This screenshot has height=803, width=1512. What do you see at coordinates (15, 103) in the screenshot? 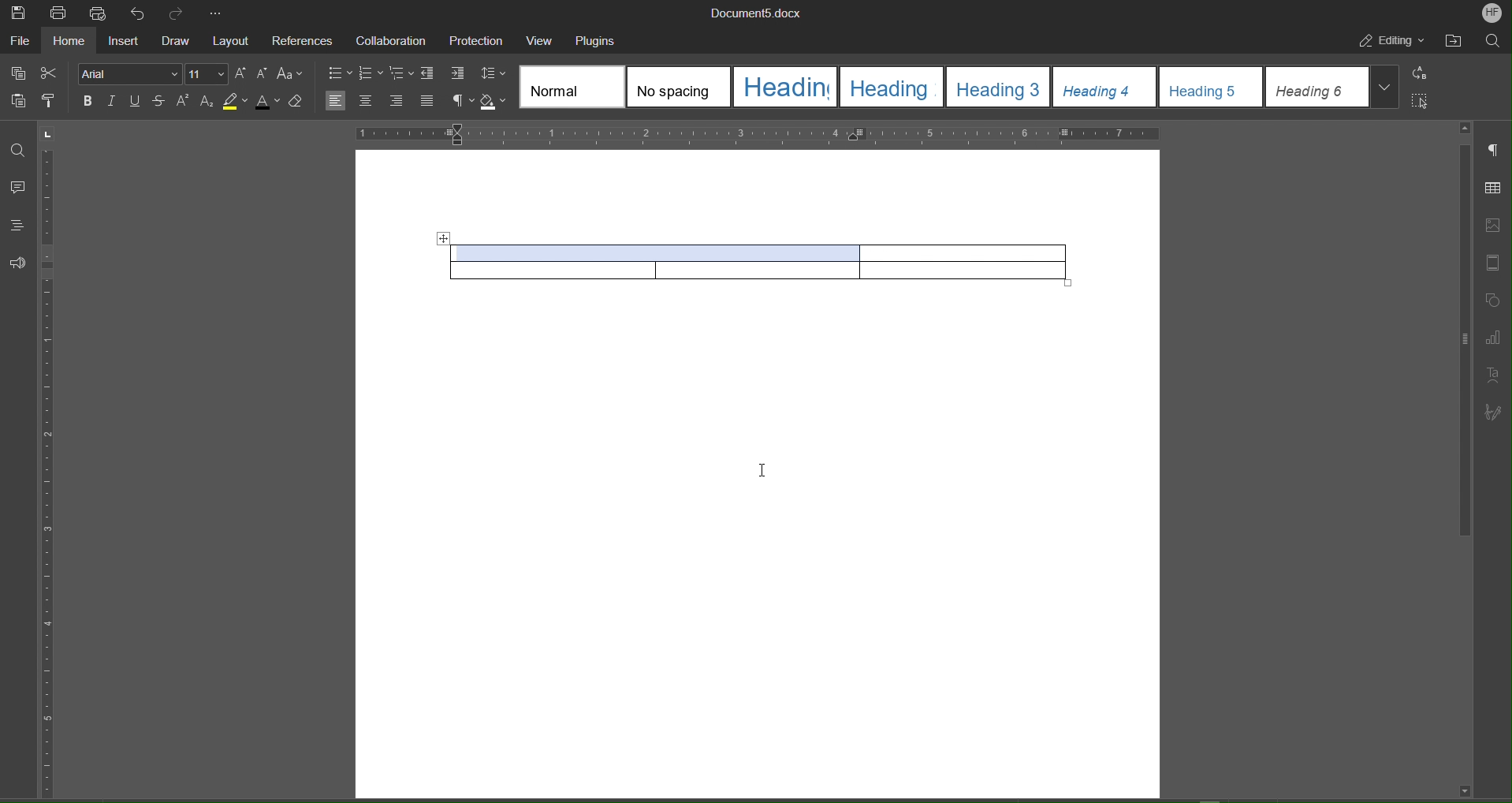
I see `Paste` at bounding box center [15, 103].